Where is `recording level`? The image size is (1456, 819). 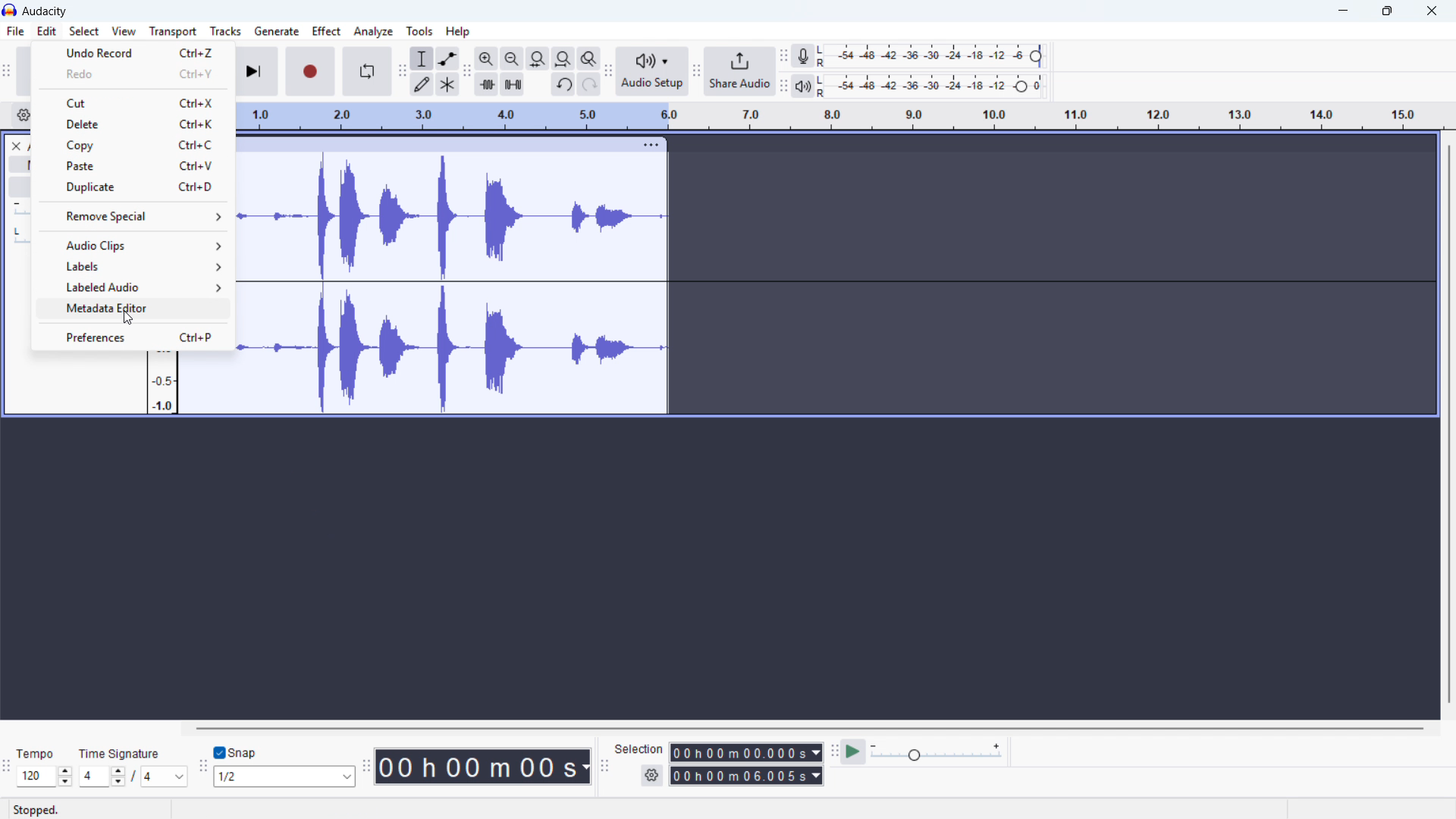
recording level is located at coordinates (934, 56).